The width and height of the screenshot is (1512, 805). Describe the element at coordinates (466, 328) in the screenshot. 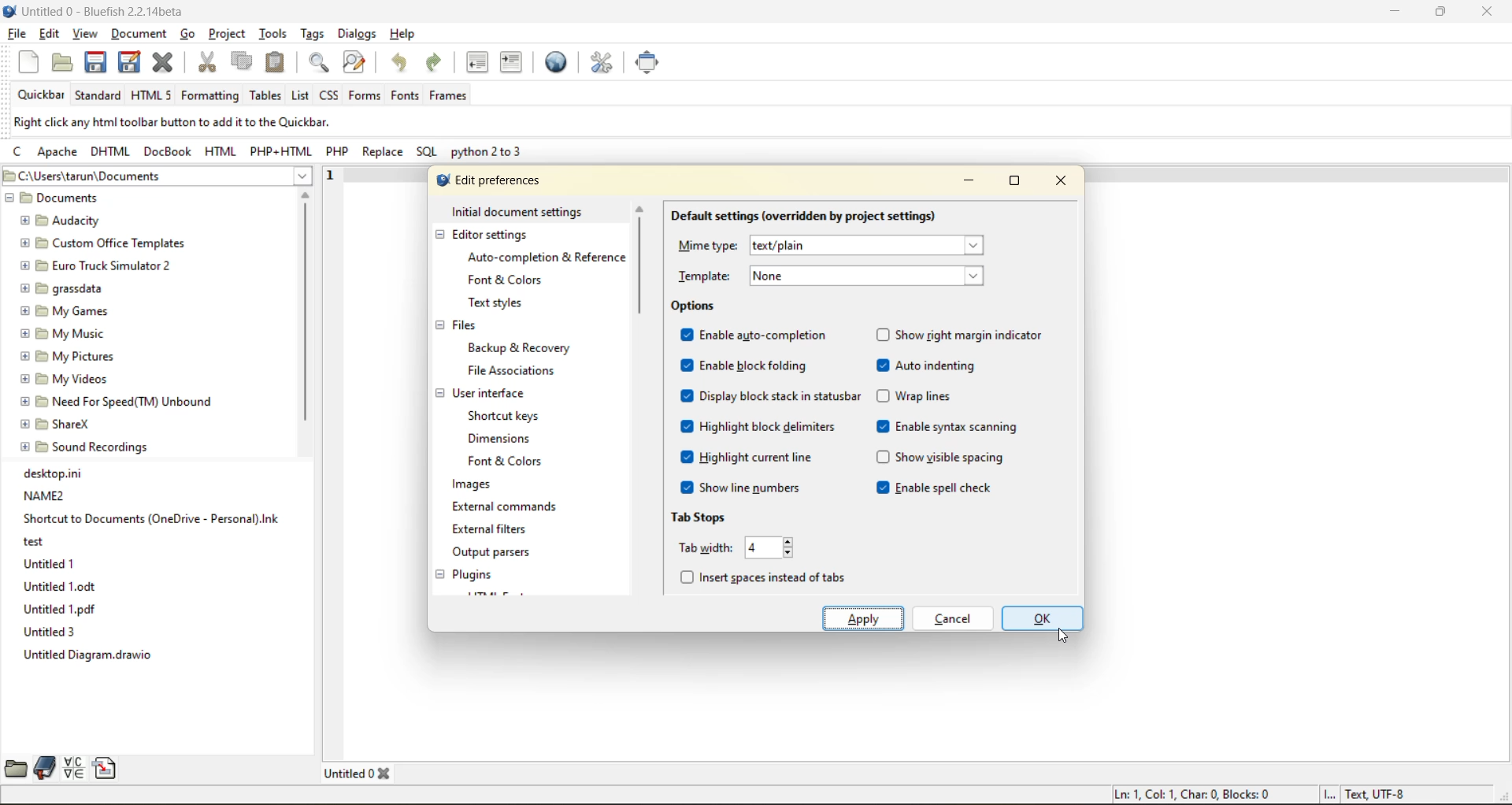

I see `files` at that location.